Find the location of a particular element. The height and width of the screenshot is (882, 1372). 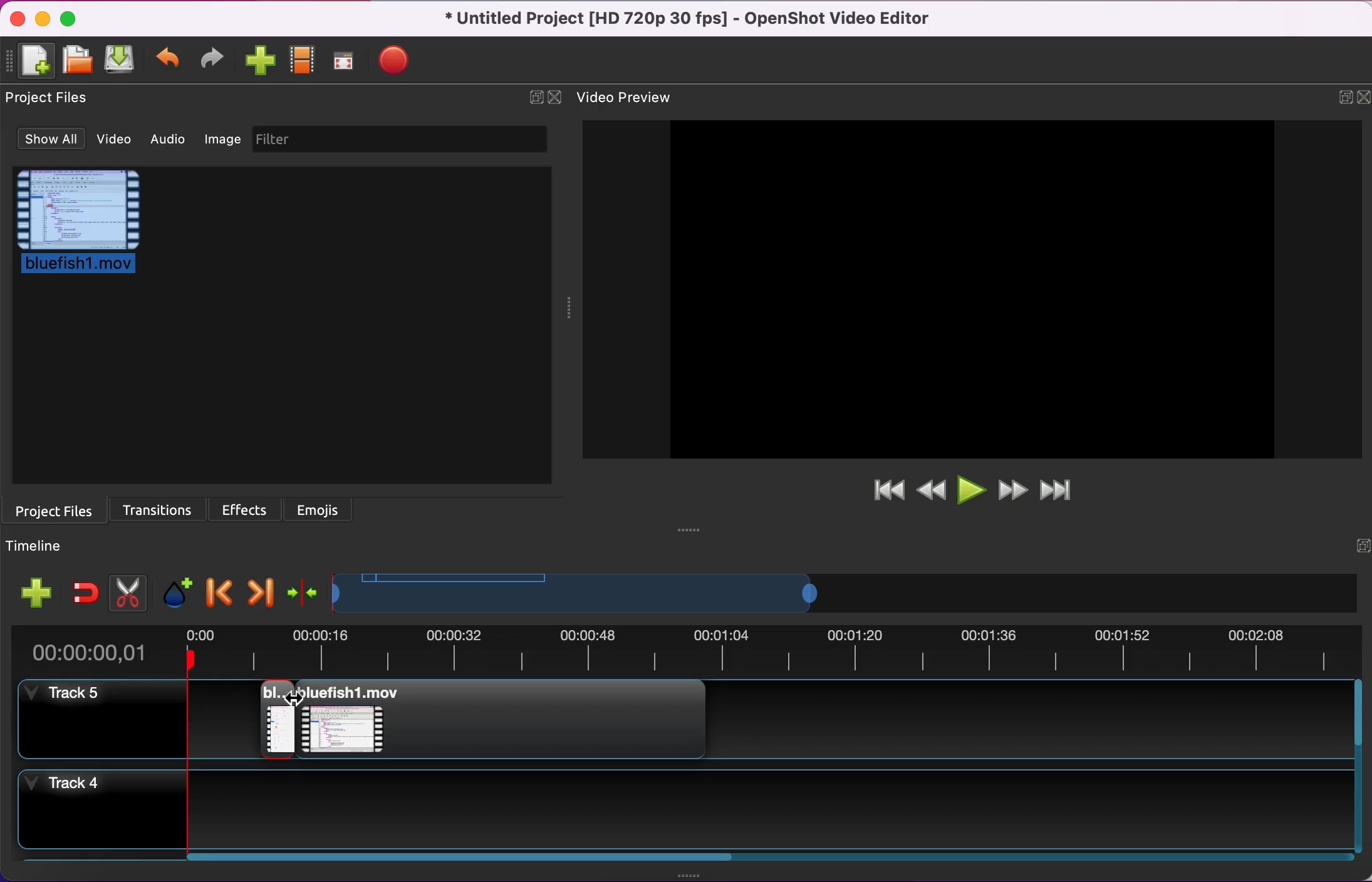

undo is located at coordinates (169, 61).